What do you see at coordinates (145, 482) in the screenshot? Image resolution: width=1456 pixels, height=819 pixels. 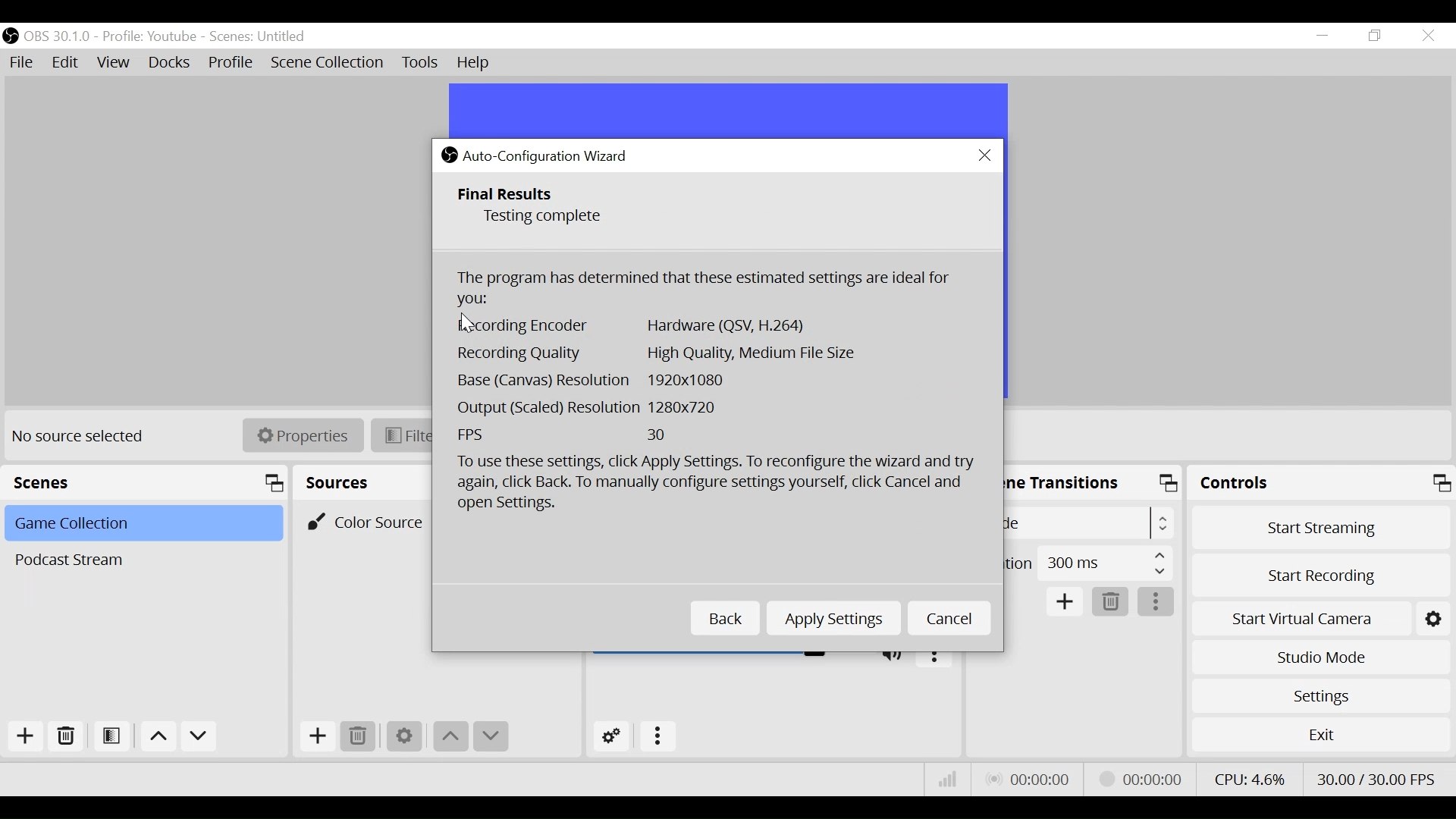 I see `Scenes Panel` at bounding box center [145, 482].